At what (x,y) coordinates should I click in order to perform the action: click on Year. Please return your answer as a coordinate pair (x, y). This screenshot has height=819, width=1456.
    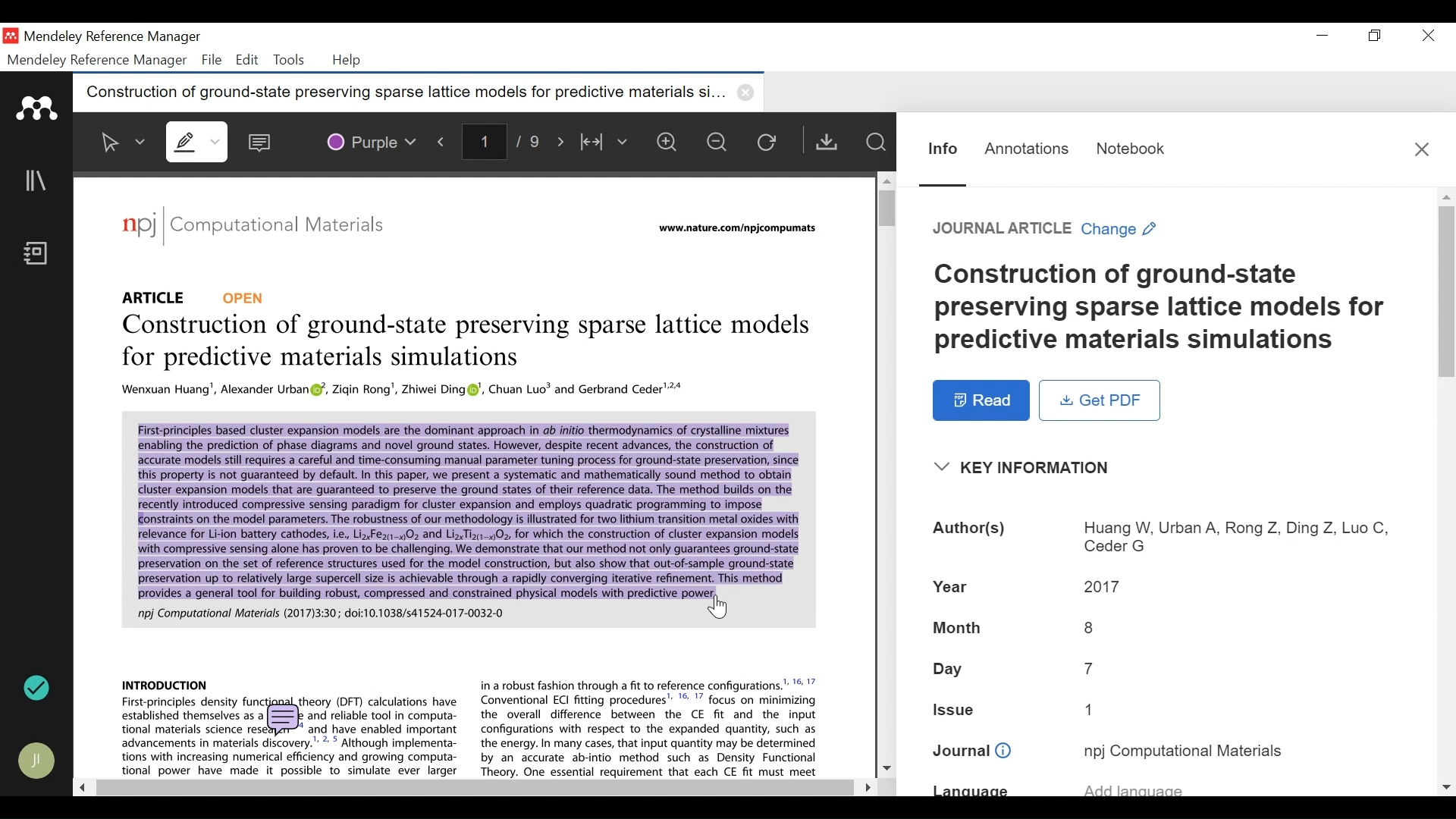
    Looking at the image, I should click on (953, 585).